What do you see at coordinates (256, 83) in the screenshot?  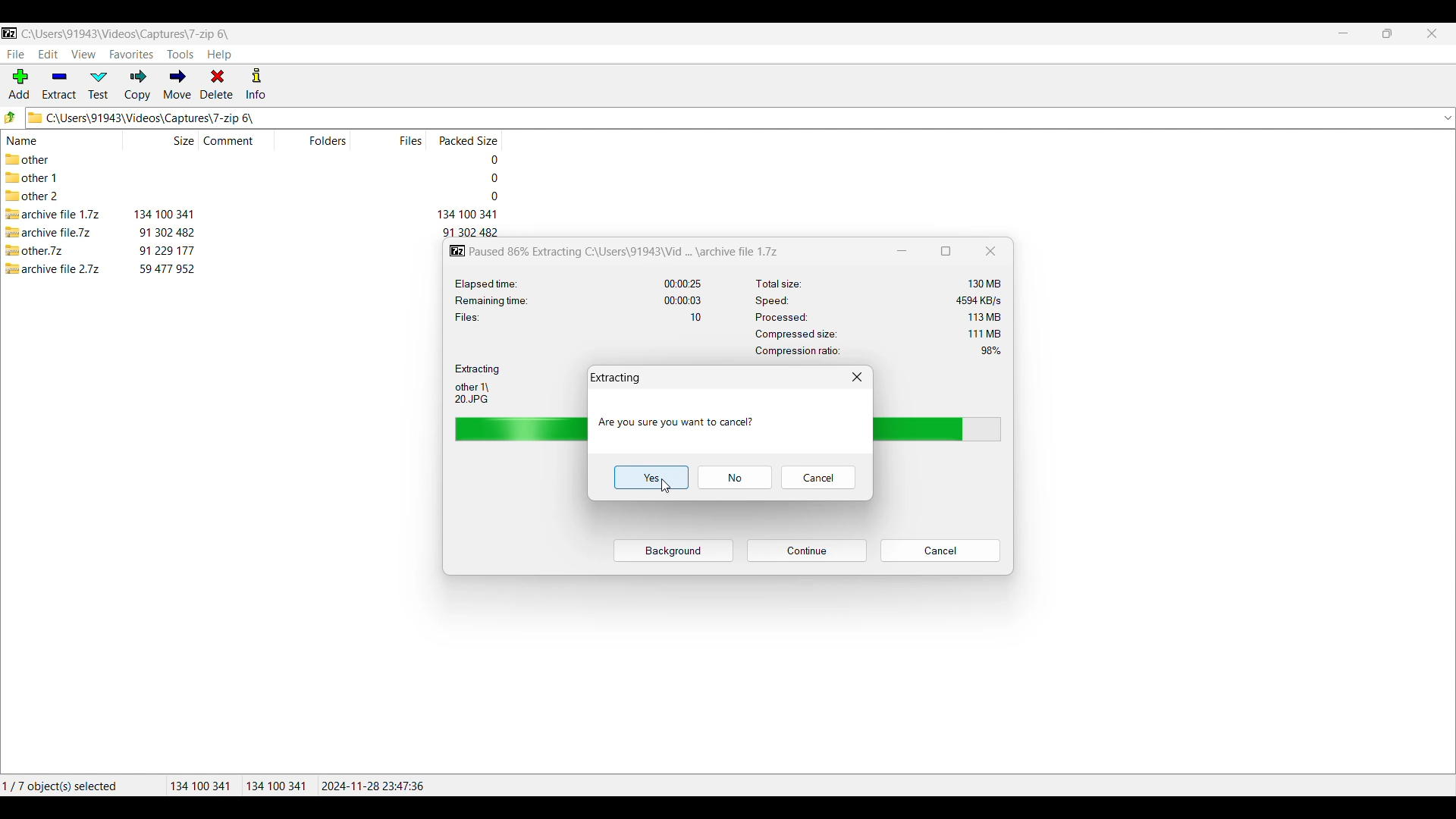 I see `Info` at bounding box center [256, 83].